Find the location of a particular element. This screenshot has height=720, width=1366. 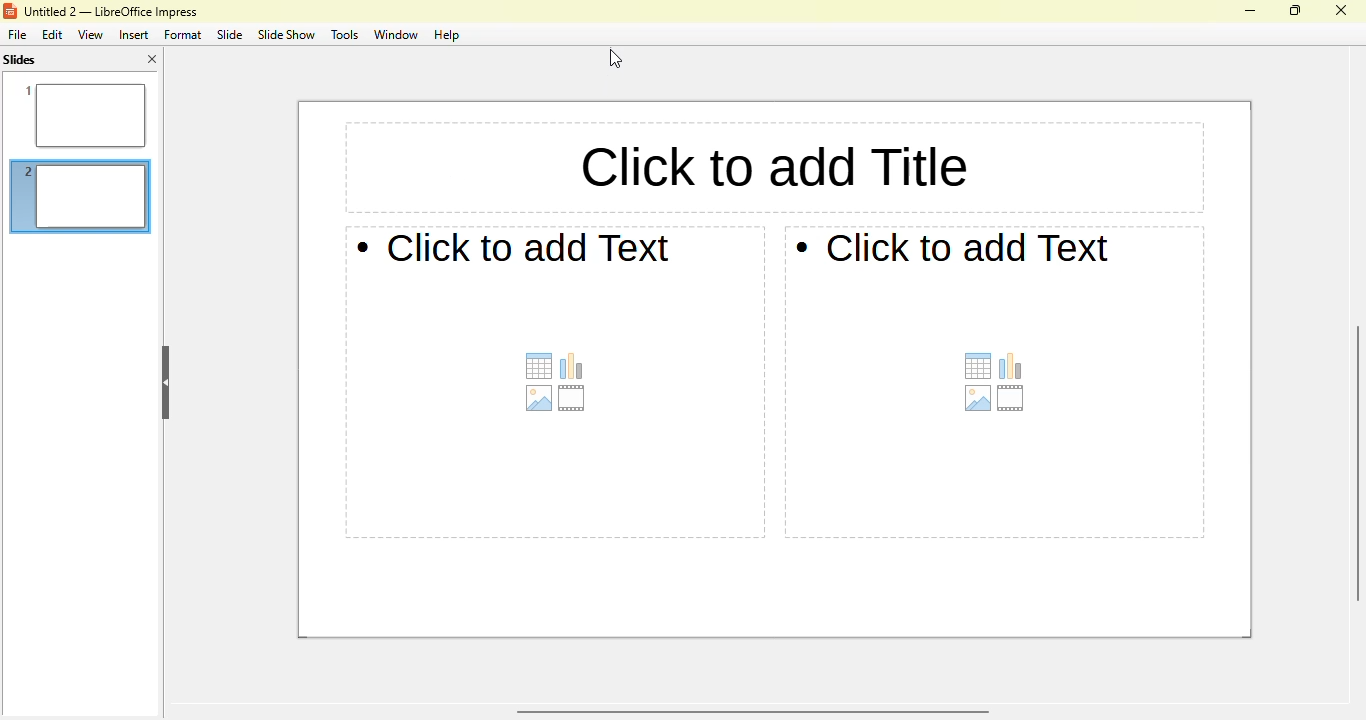

slide 2 is located at coordinates (82, 199).